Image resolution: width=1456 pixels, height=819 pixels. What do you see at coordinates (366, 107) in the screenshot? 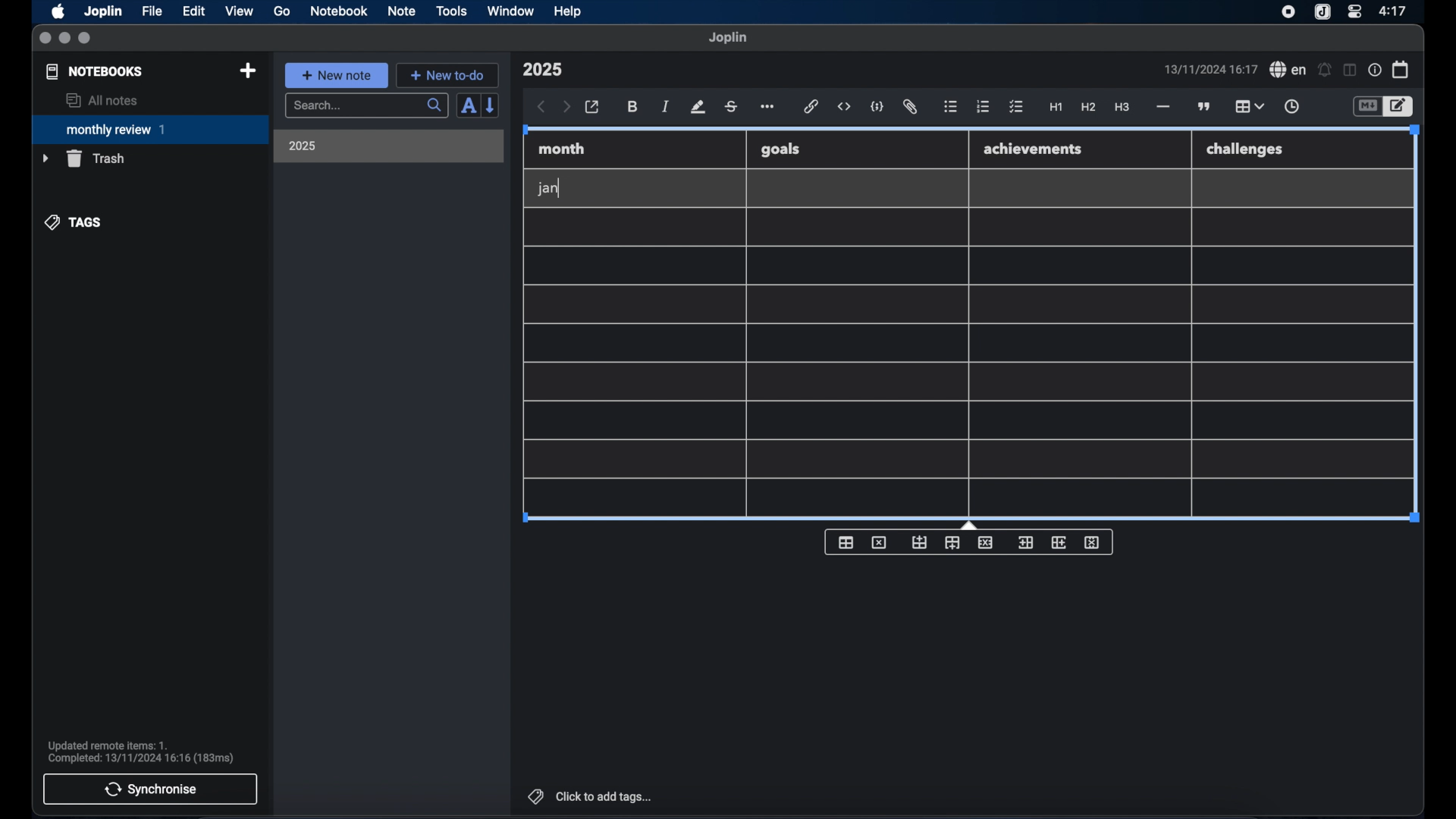
I see `search bar` at bounding box center [366, 107].